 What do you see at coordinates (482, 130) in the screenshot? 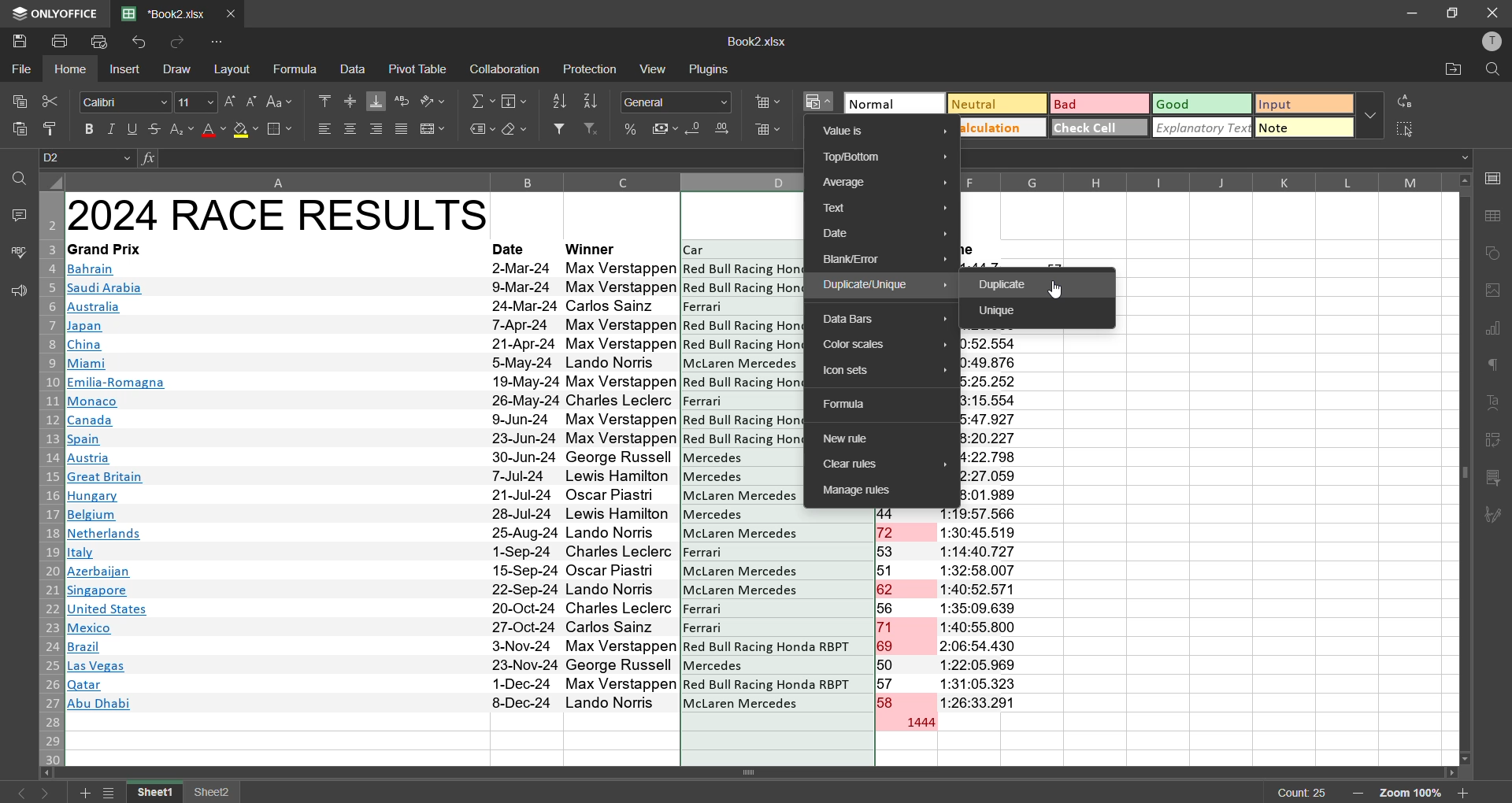
I see `named ranges` at bounding box center [482, 130].